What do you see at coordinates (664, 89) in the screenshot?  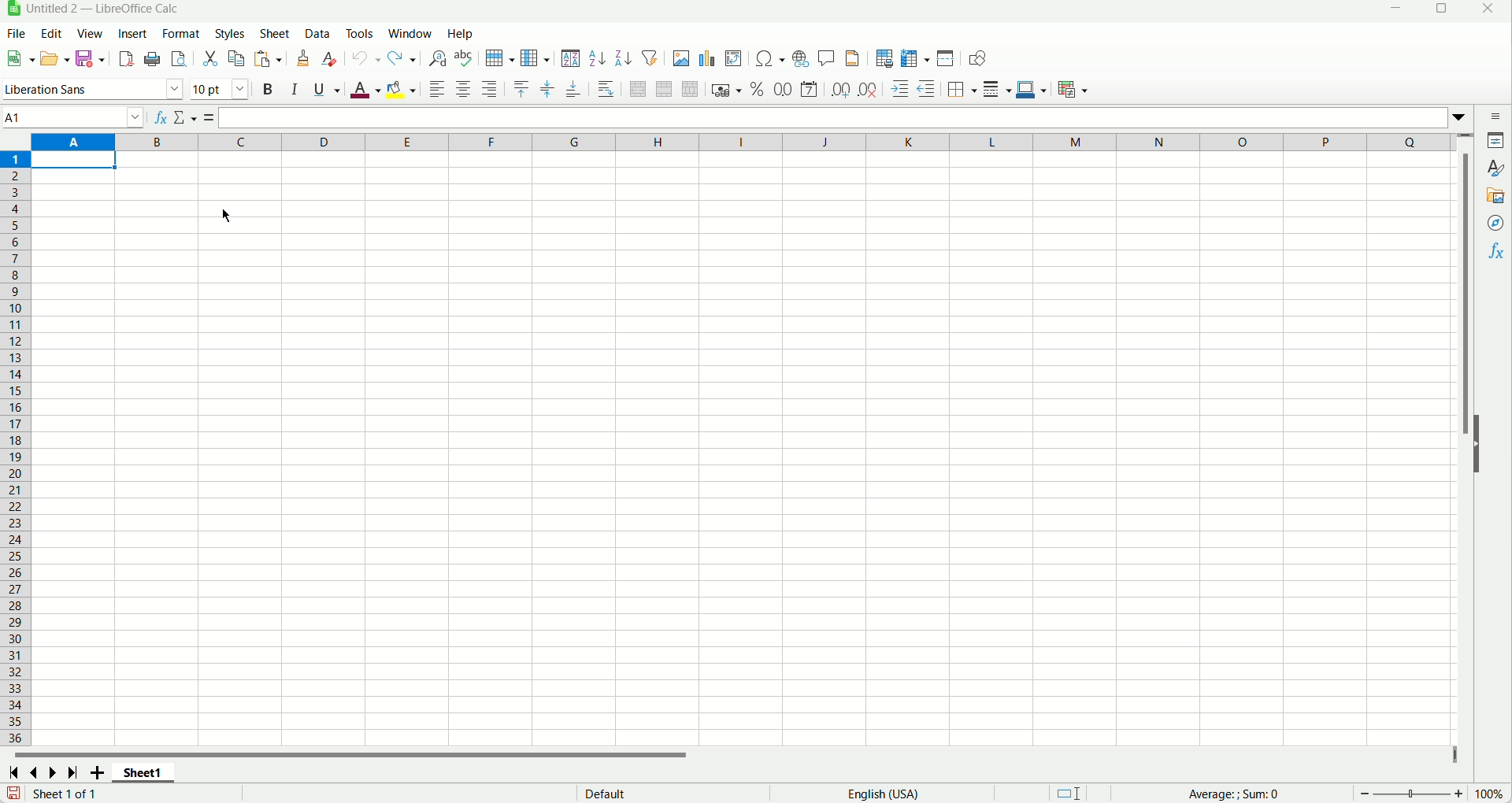 I see `Merge cells` at bounding box center [664, 89].